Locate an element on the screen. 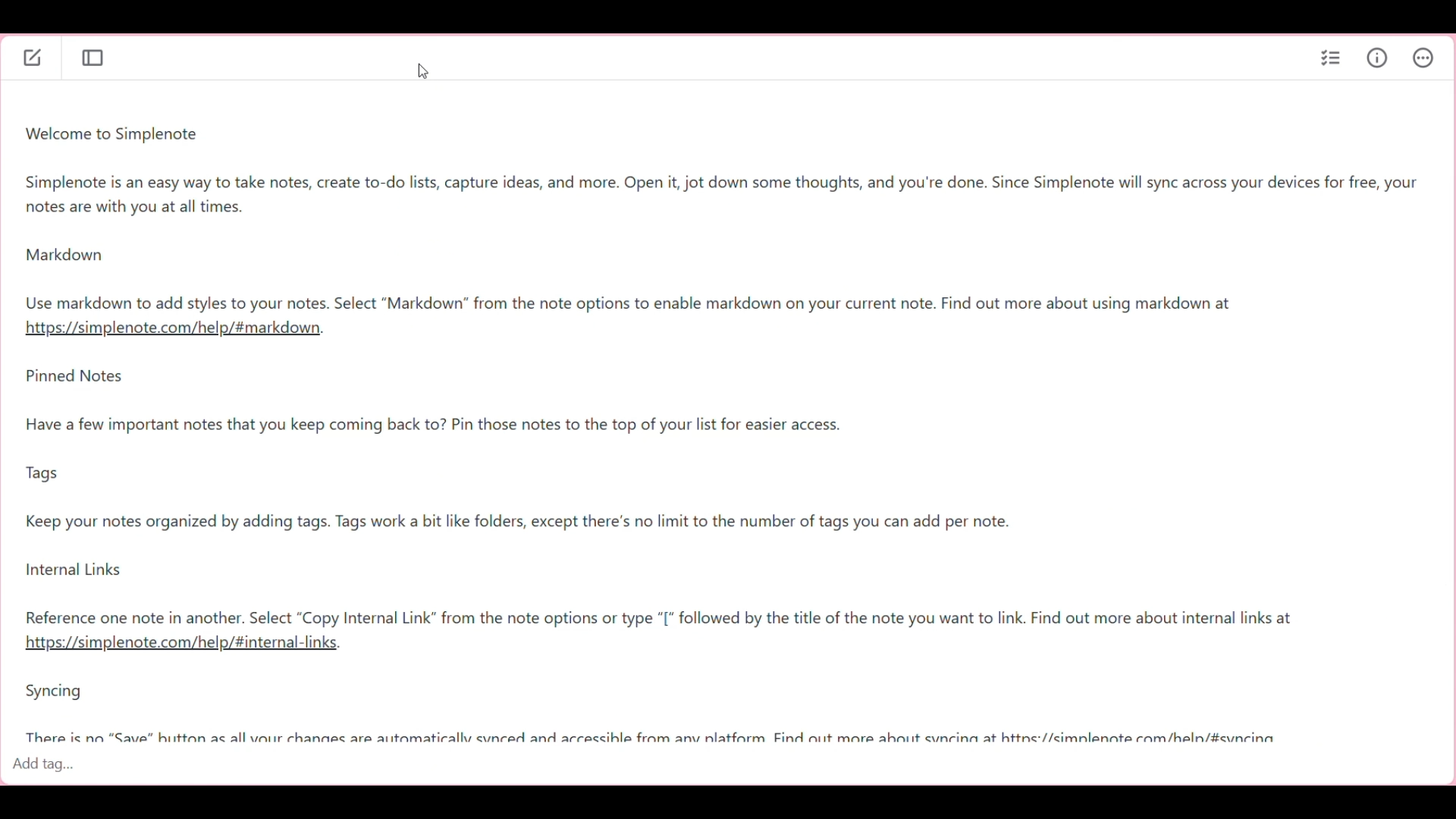  Welcome to simplenote-note1 is located at coordinates (732, 215).